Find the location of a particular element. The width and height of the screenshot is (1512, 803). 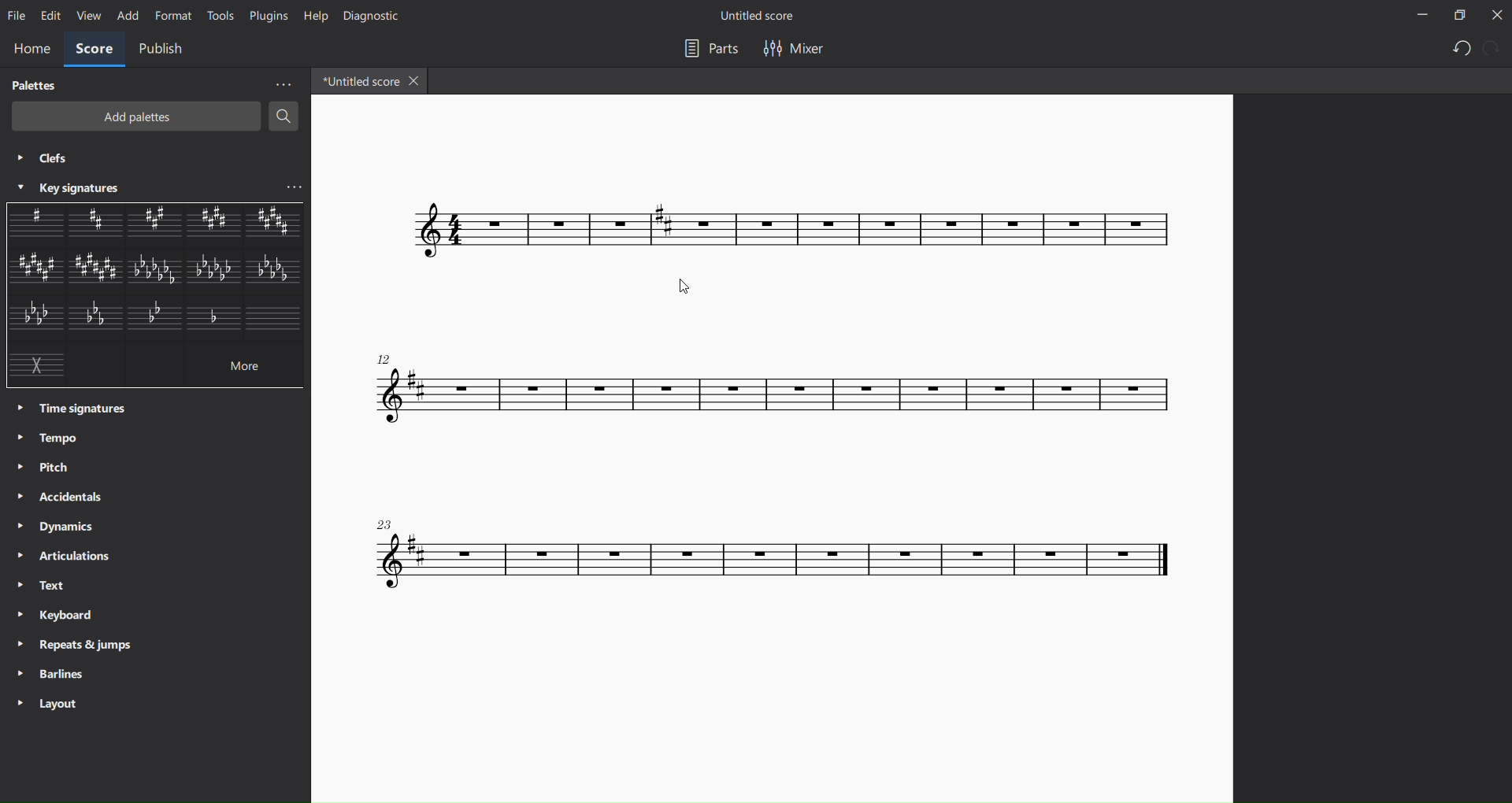

concert is located at coordinates (773, 561).